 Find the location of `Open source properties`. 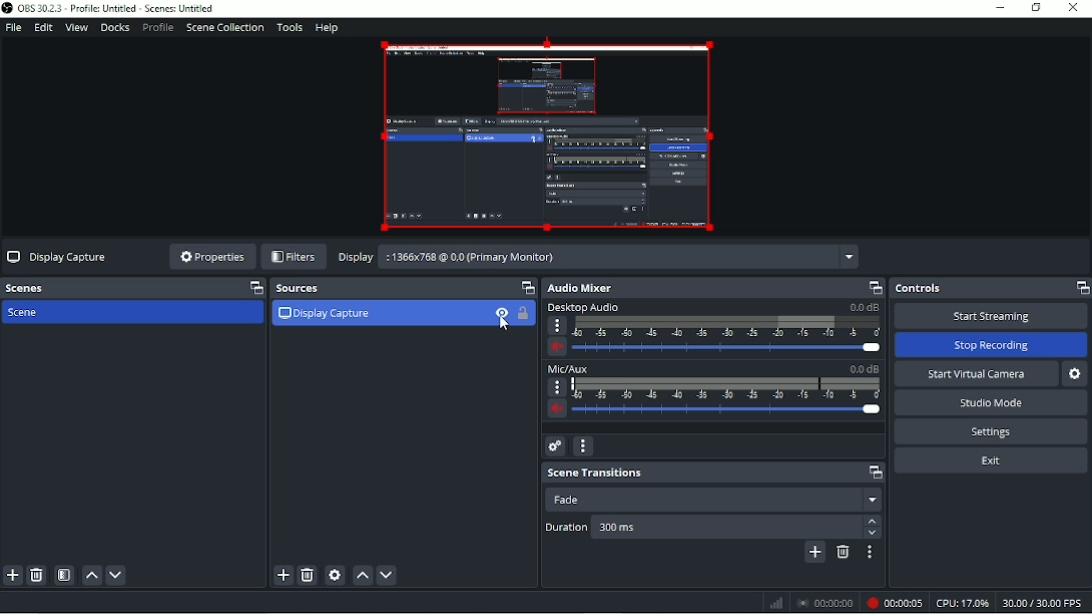

Open source properties is located at coordinates (336, 575).